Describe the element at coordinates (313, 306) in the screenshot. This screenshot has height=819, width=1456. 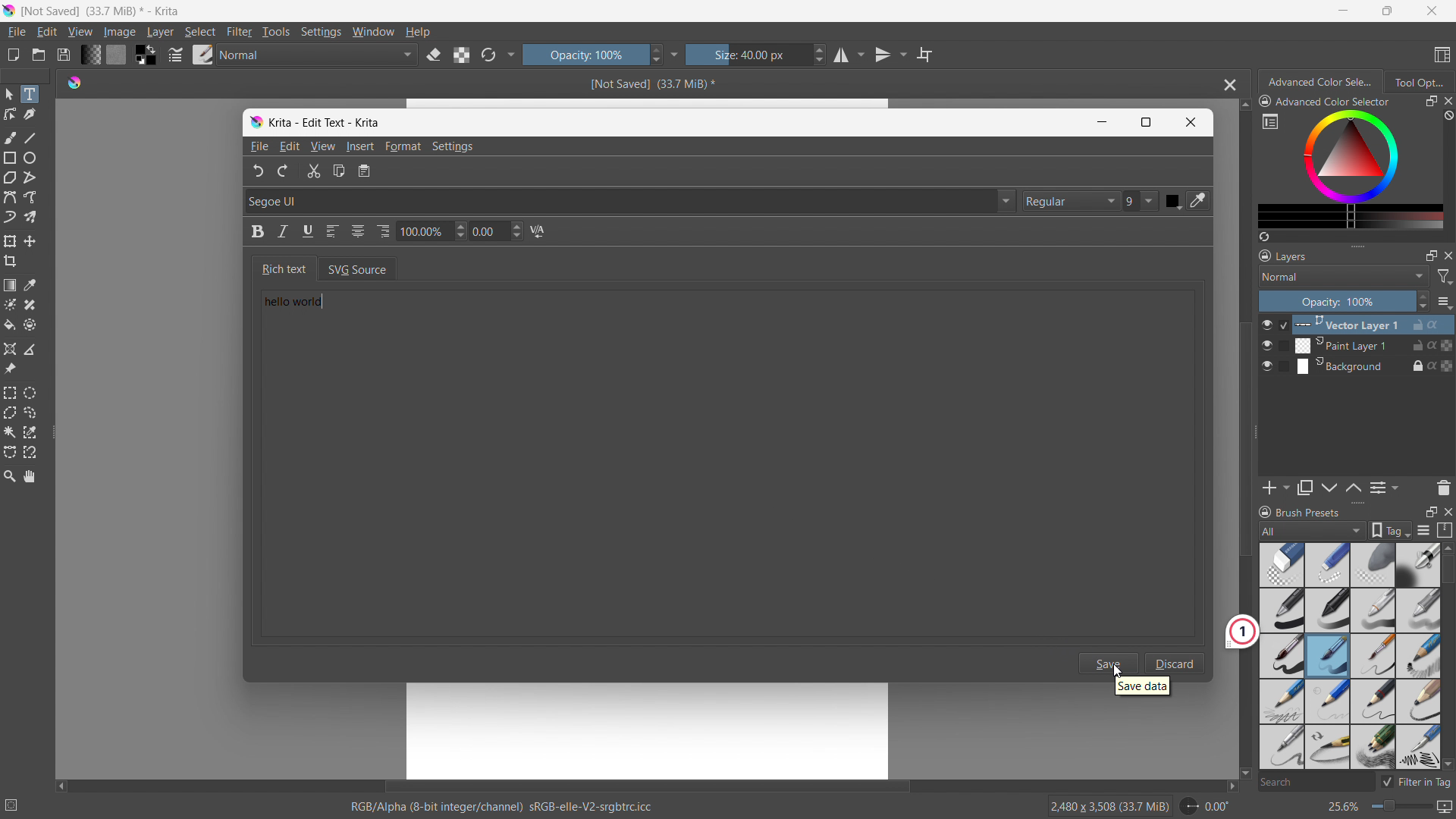
I see `Hello world` at that location.